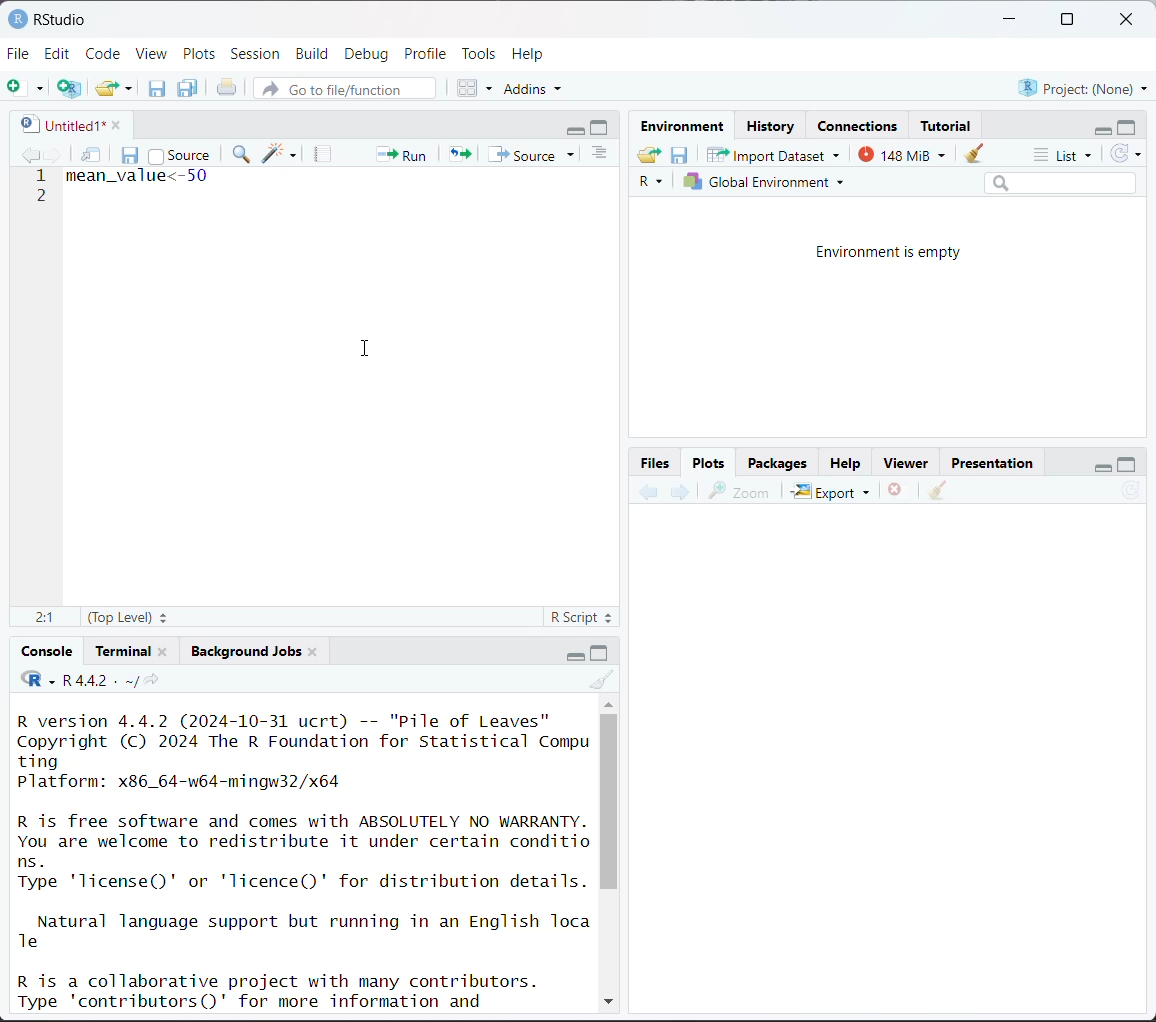  I want to click on Packages, so click(777, 462).